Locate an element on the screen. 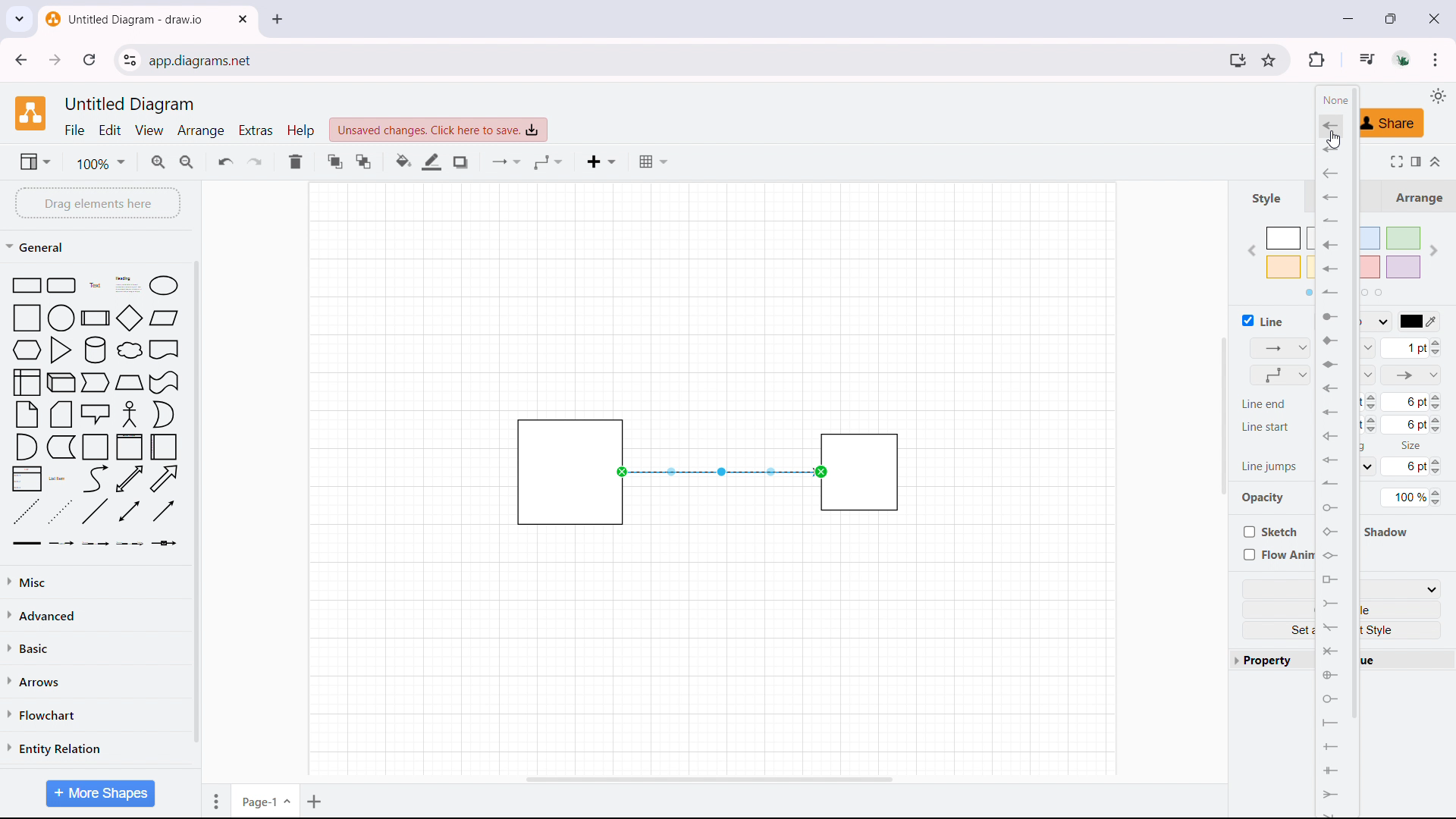 This screenshot has height=819, width=1456. shadow is located at coordinates (460, 162).